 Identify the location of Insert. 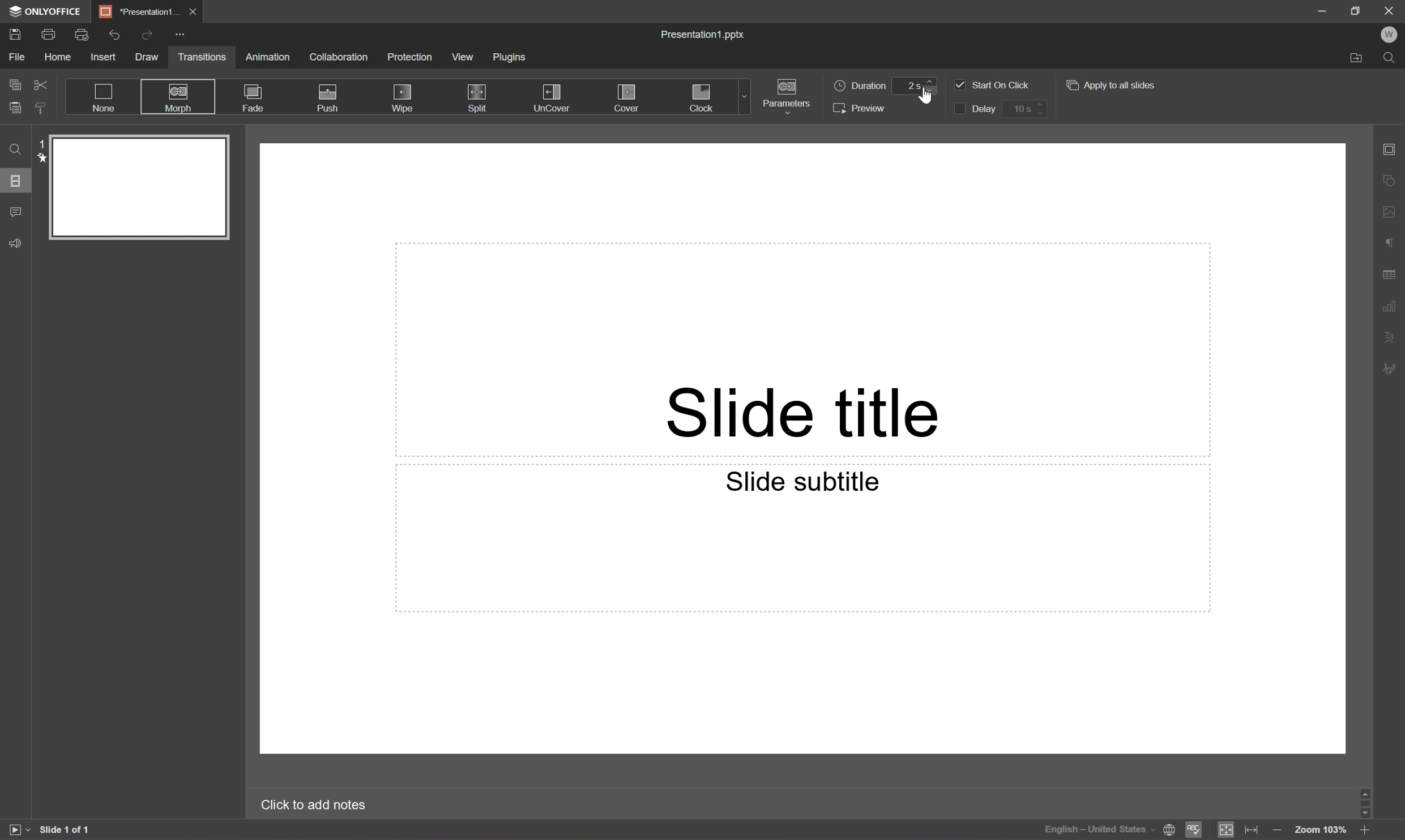
(106, 57).